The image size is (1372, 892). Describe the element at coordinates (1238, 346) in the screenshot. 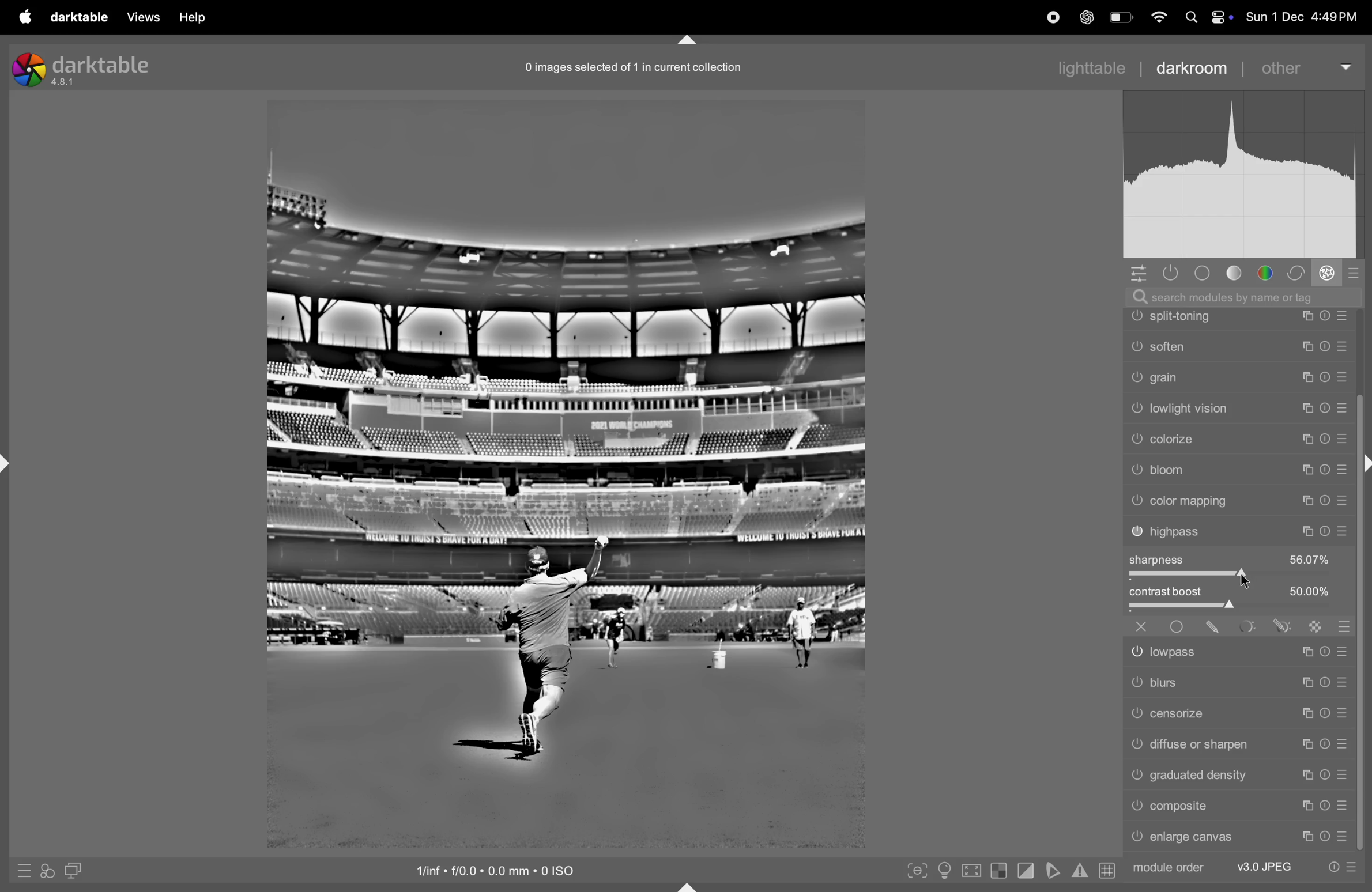

I see `farming` at that location.